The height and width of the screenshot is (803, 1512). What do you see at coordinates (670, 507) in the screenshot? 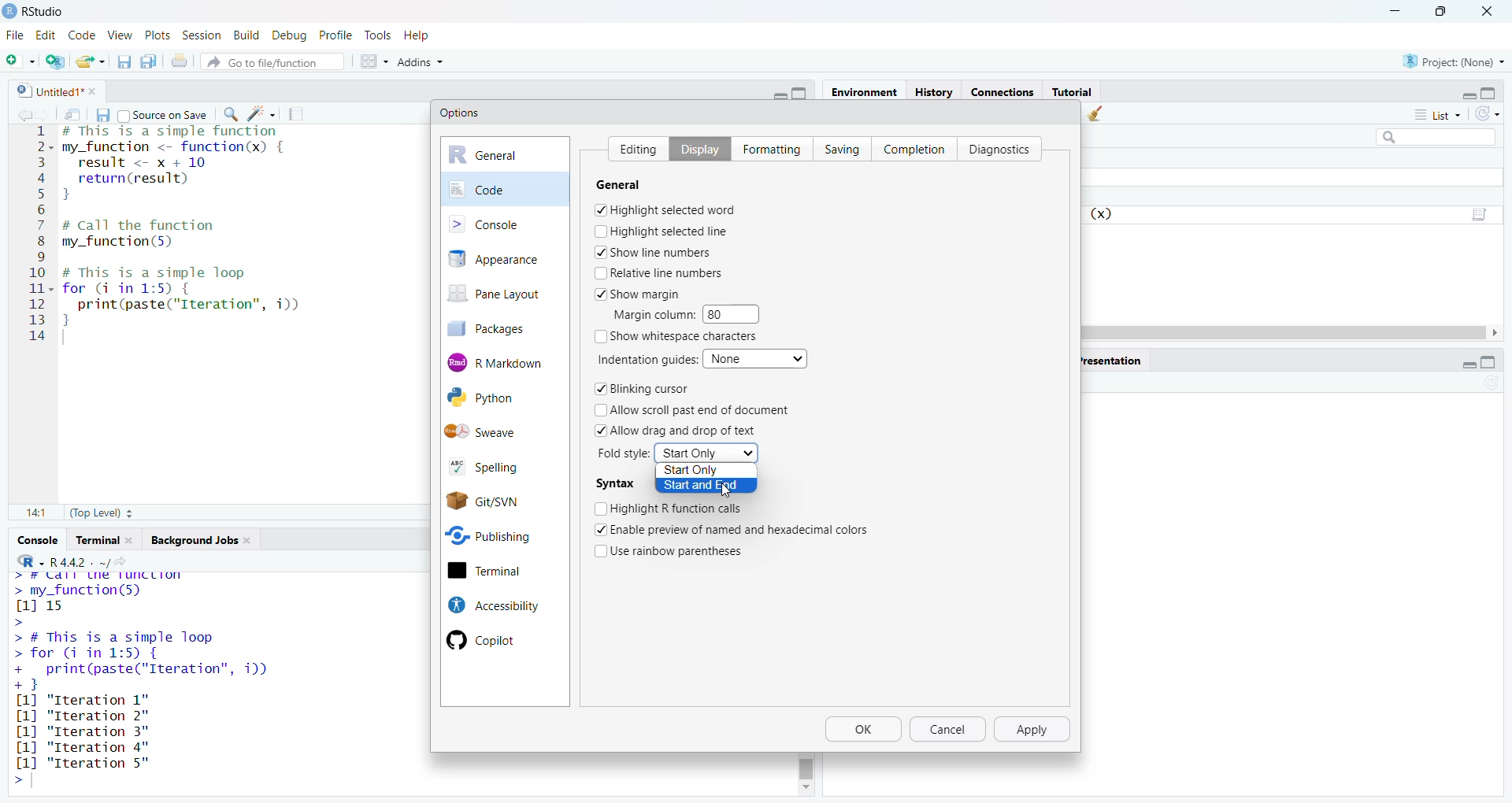
I see `Highlight R function calls` at bounding box center [670, 507].